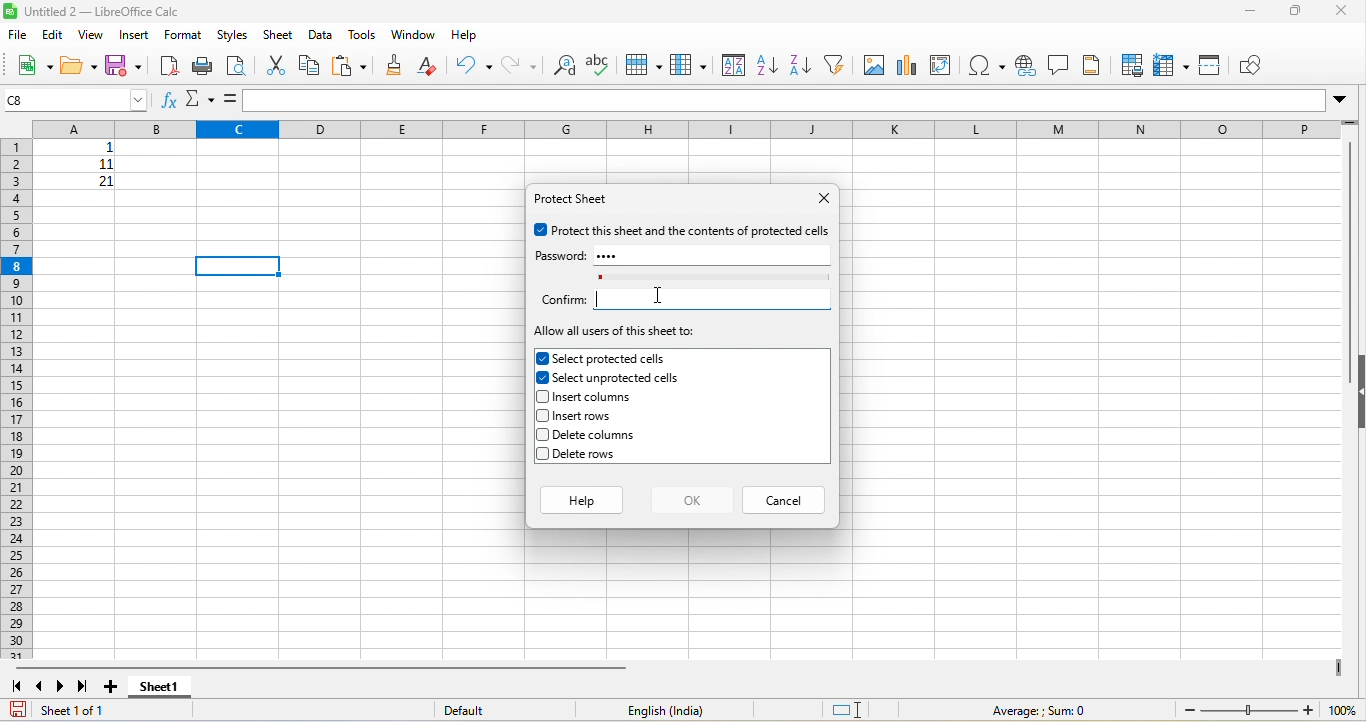  What do you see at coordinates (19, 685) in the screenshot?
I see `first sheet` at bounding box center [19, 685].